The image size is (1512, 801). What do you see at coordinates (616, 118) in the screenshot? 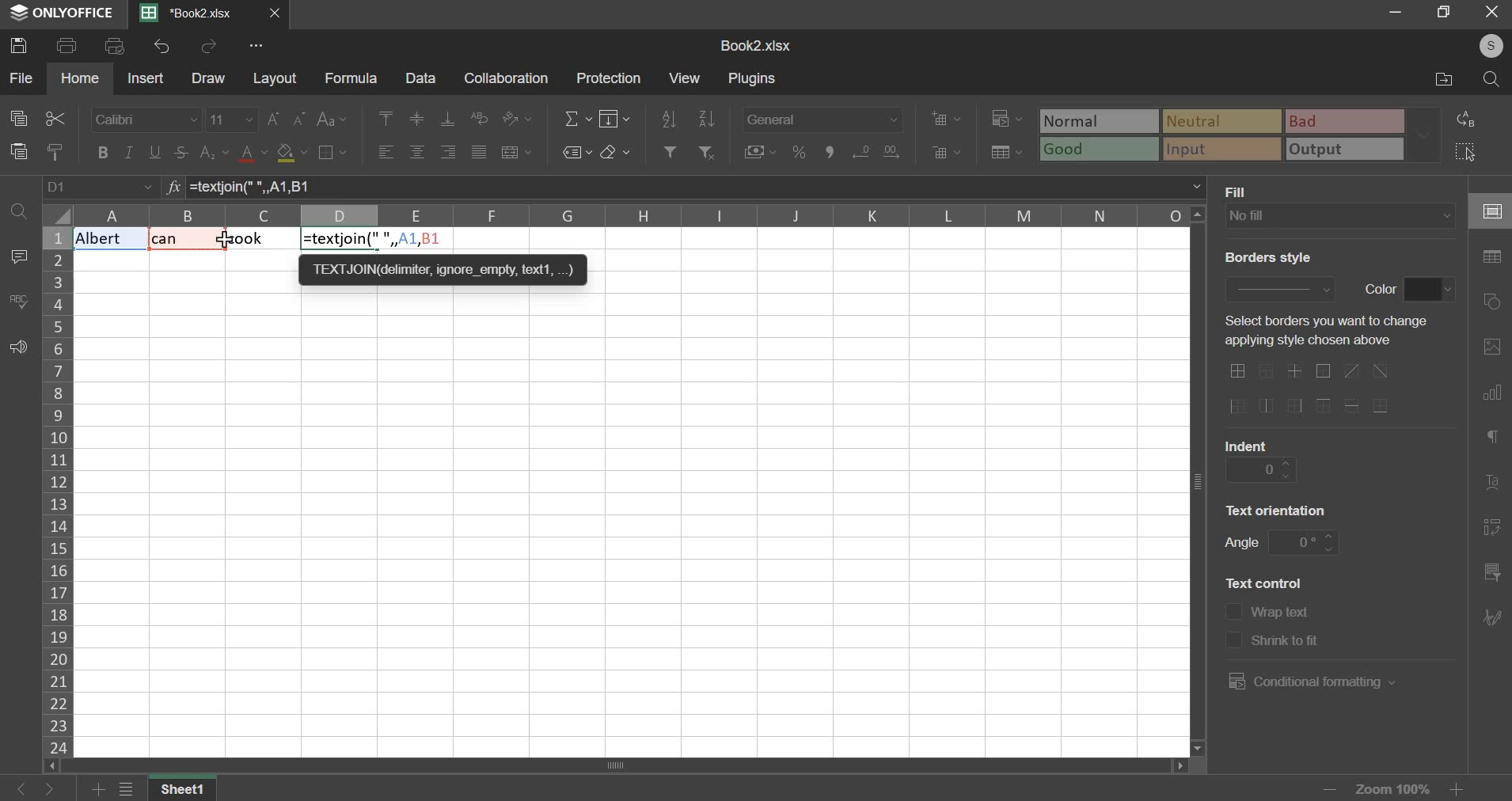
I see `fill` at bounding box center [616, 118].